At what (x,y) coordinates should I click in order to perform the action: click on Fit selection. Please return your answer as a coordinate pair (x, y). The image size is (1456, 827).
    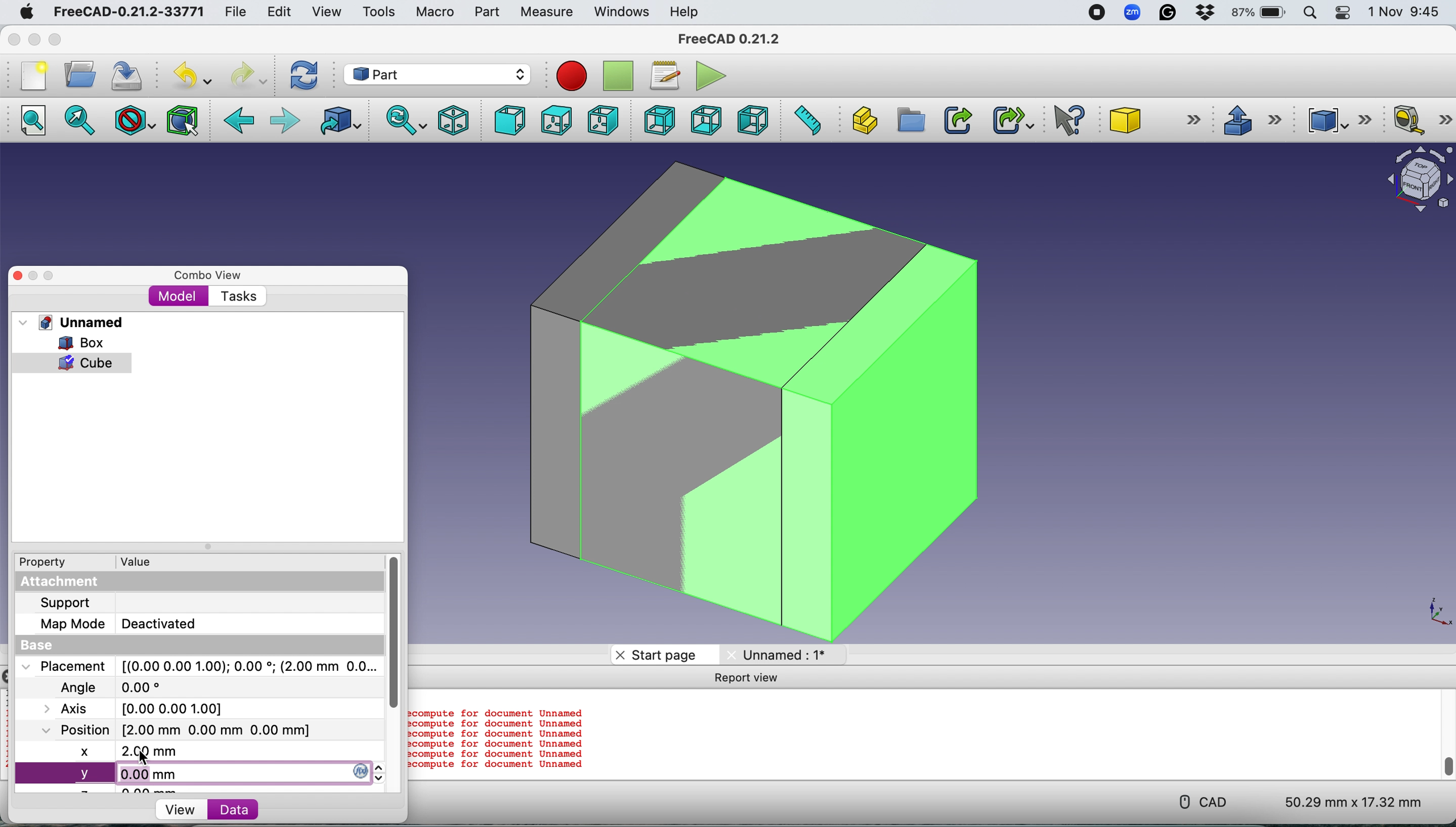
    Looking at the image, I should click on (81, 122).